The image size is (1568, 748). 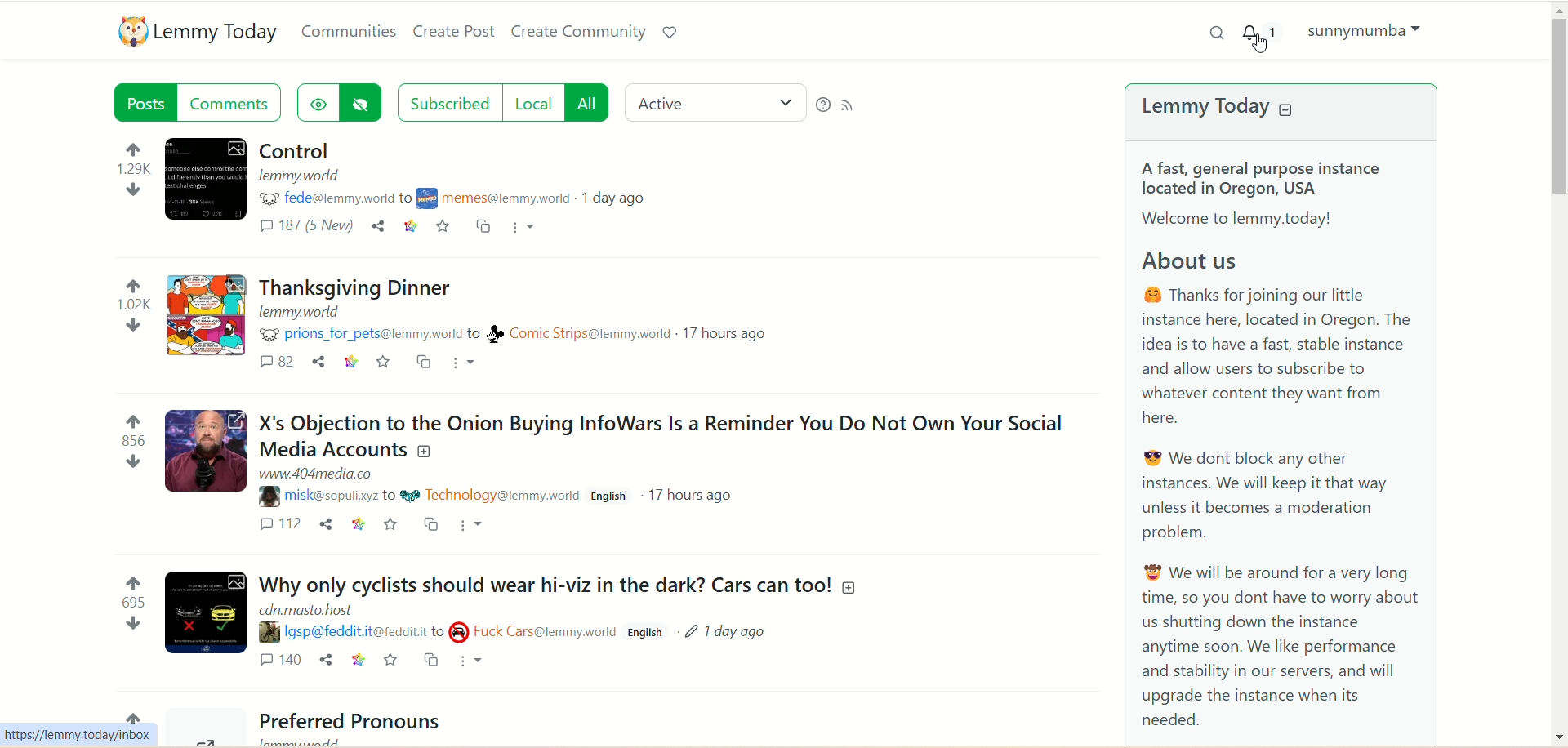 I want to click on cross-post, so click(x=430, y=525).